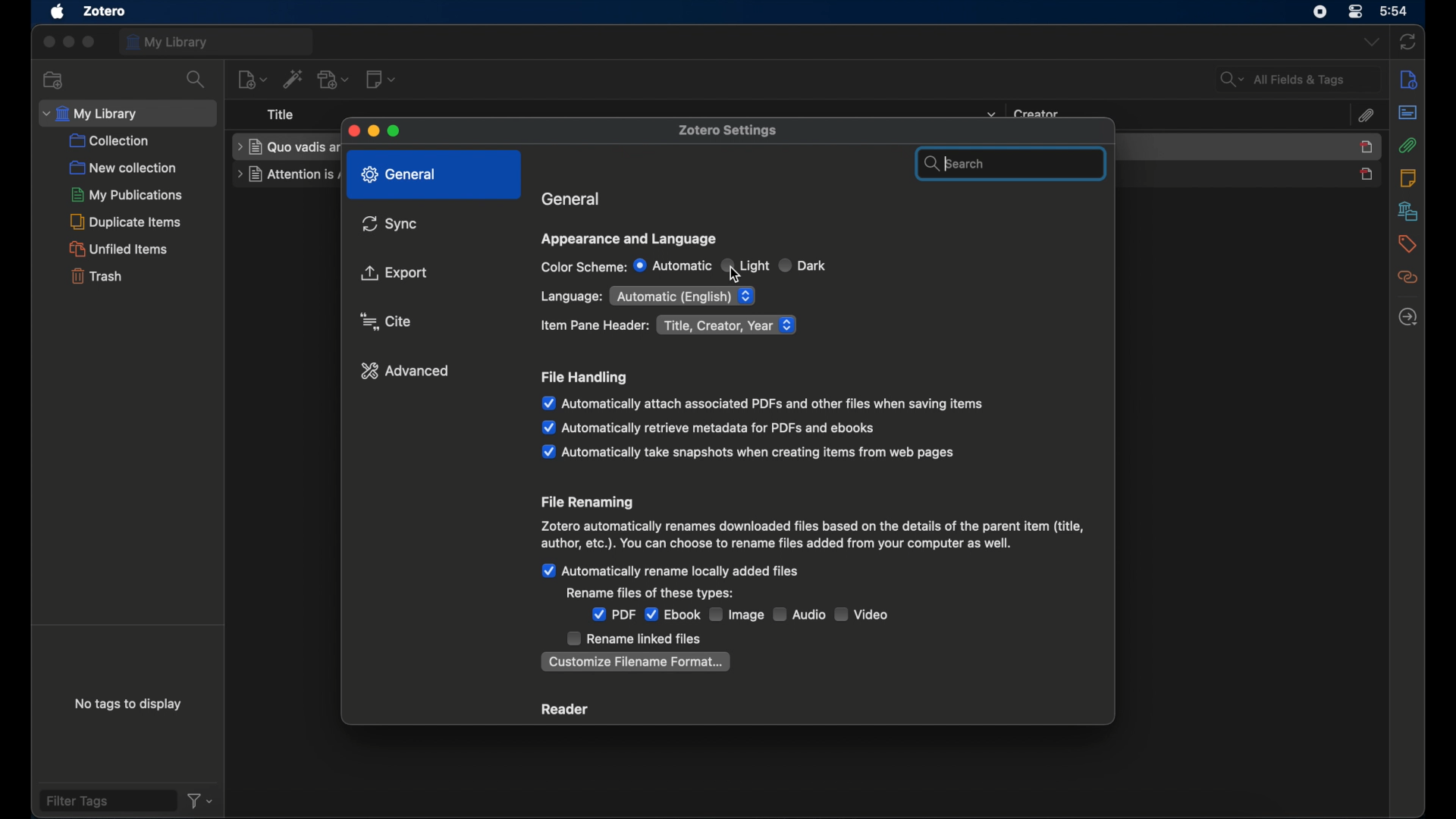  Describe the element at coordinates (1407, 146) in the screenshot. I see `attachements` at that location.